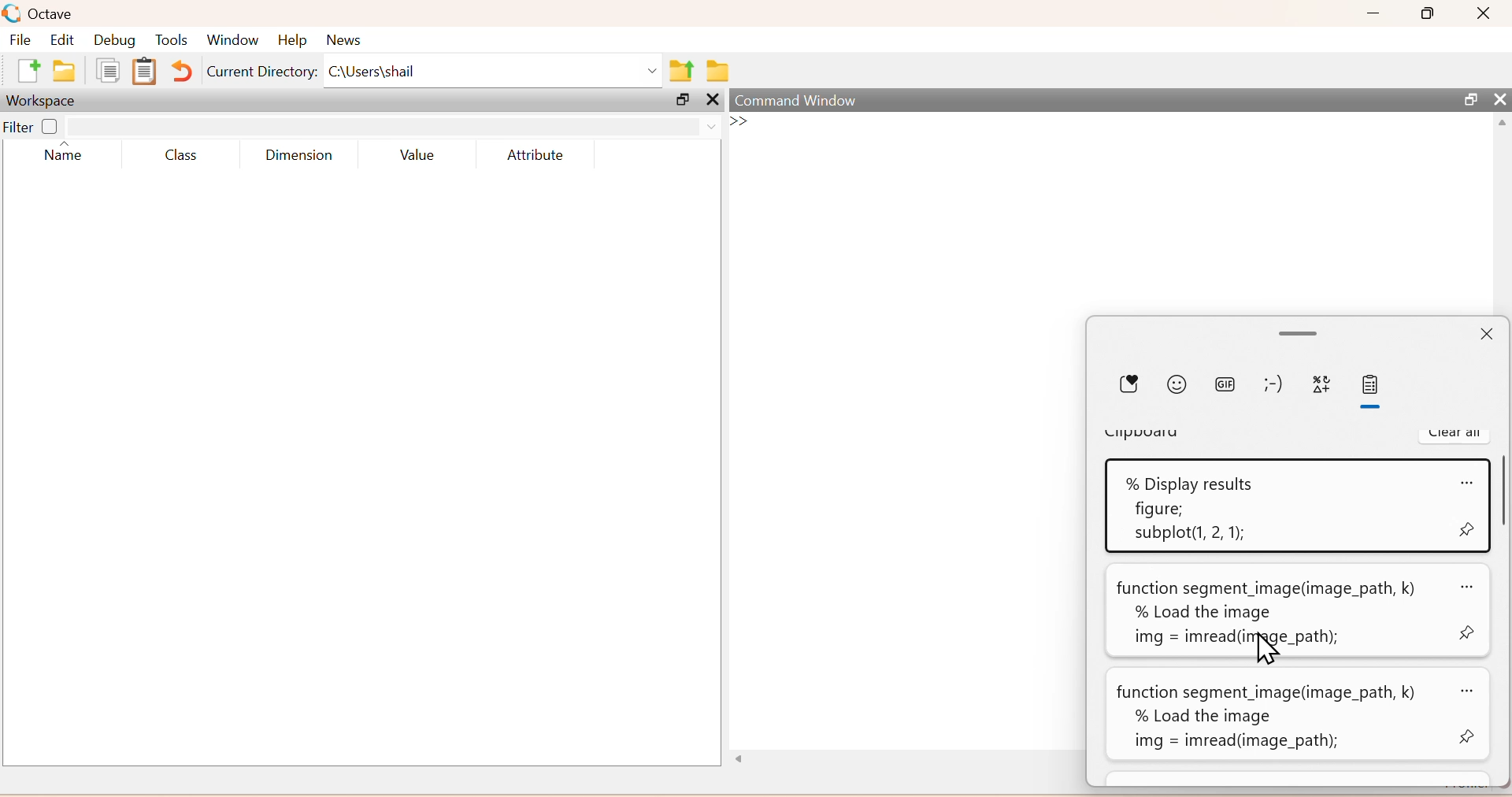 The image size is (1512, 797). I want to click on function segment_image(image_path, k) az% Load the imageimg = imread(image_path); , so click(1303, 717).